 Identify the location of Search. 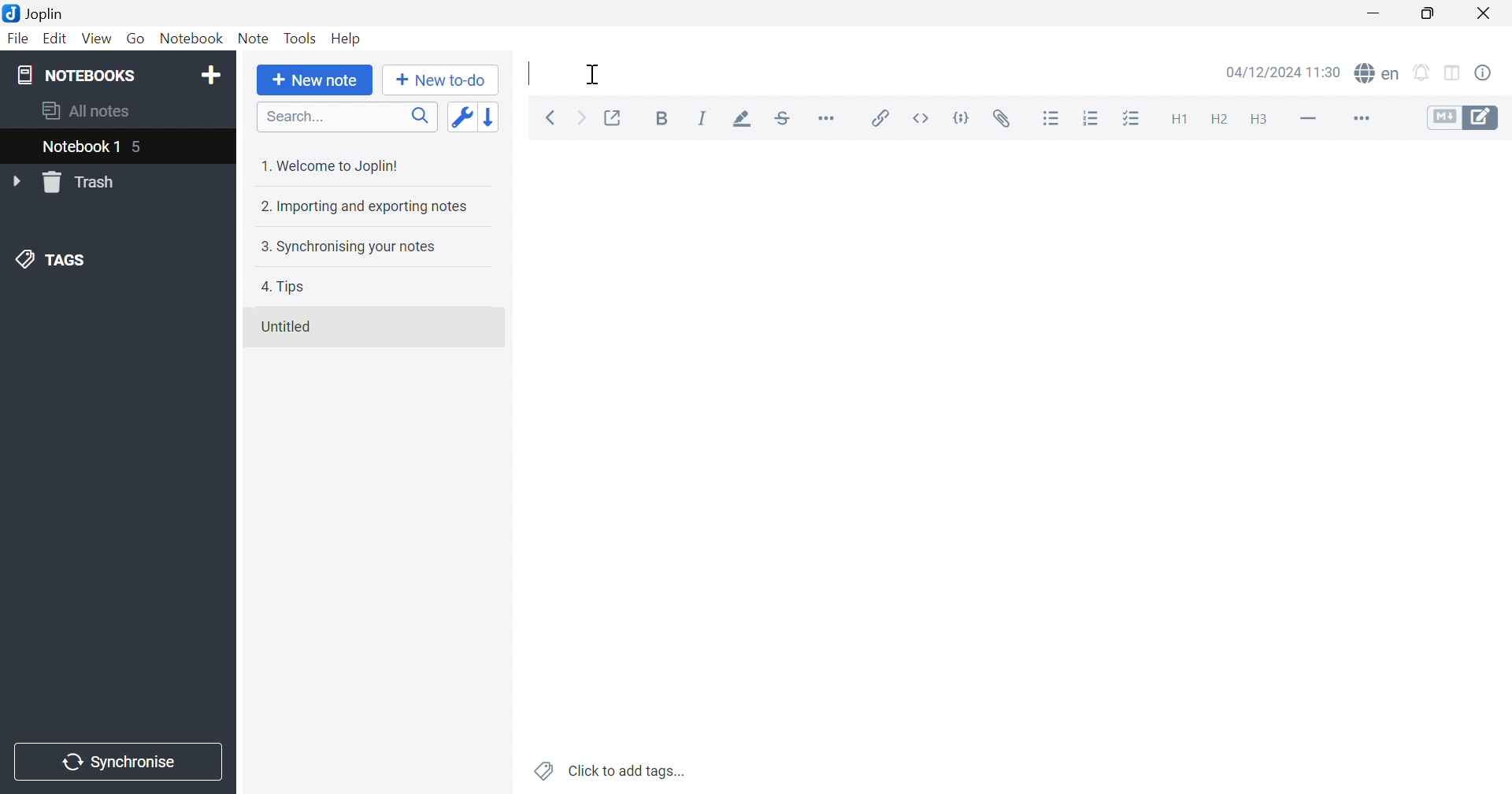
(347, 117).